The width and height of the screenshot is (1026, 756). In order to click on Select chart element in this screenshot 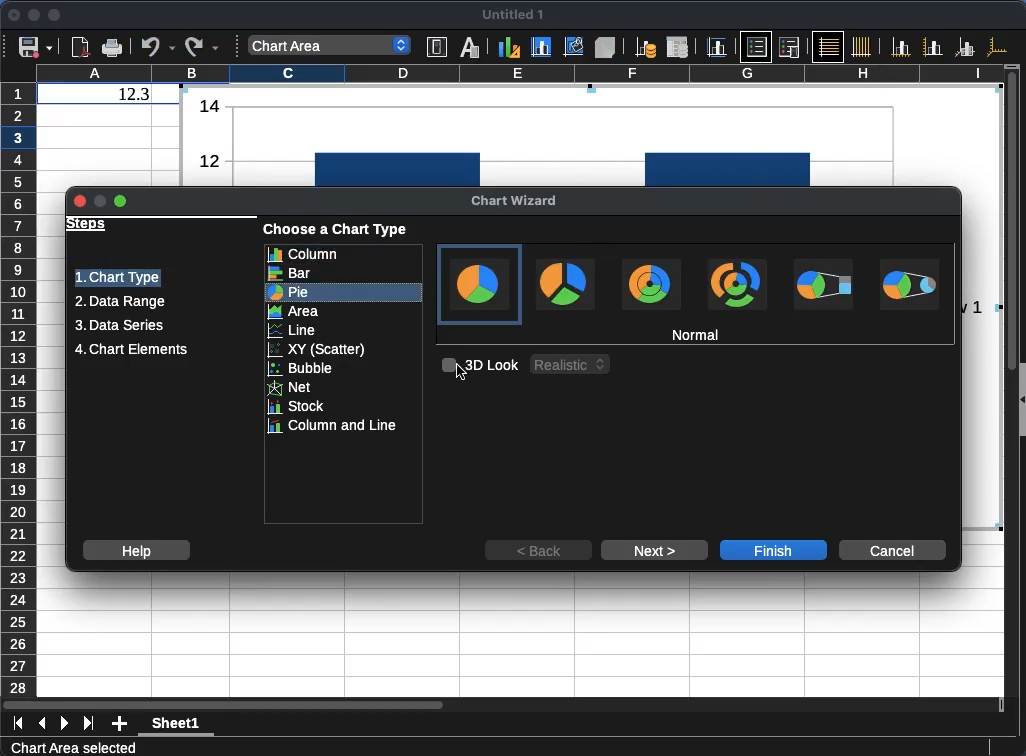, I will do `click(330, 45)`.